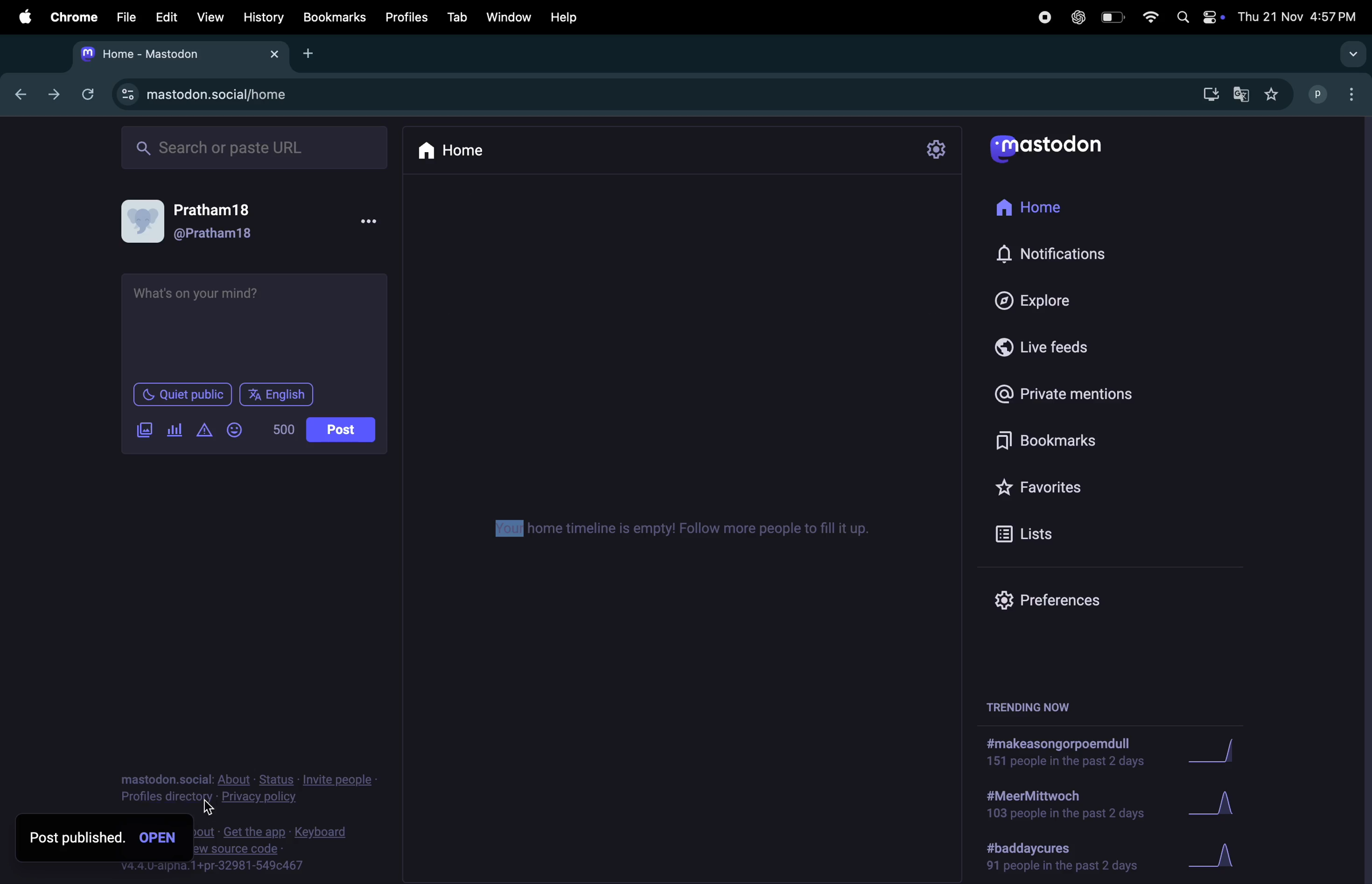 This screenshot has height=884, width=1372. I want to click on view, so click(209, 17).